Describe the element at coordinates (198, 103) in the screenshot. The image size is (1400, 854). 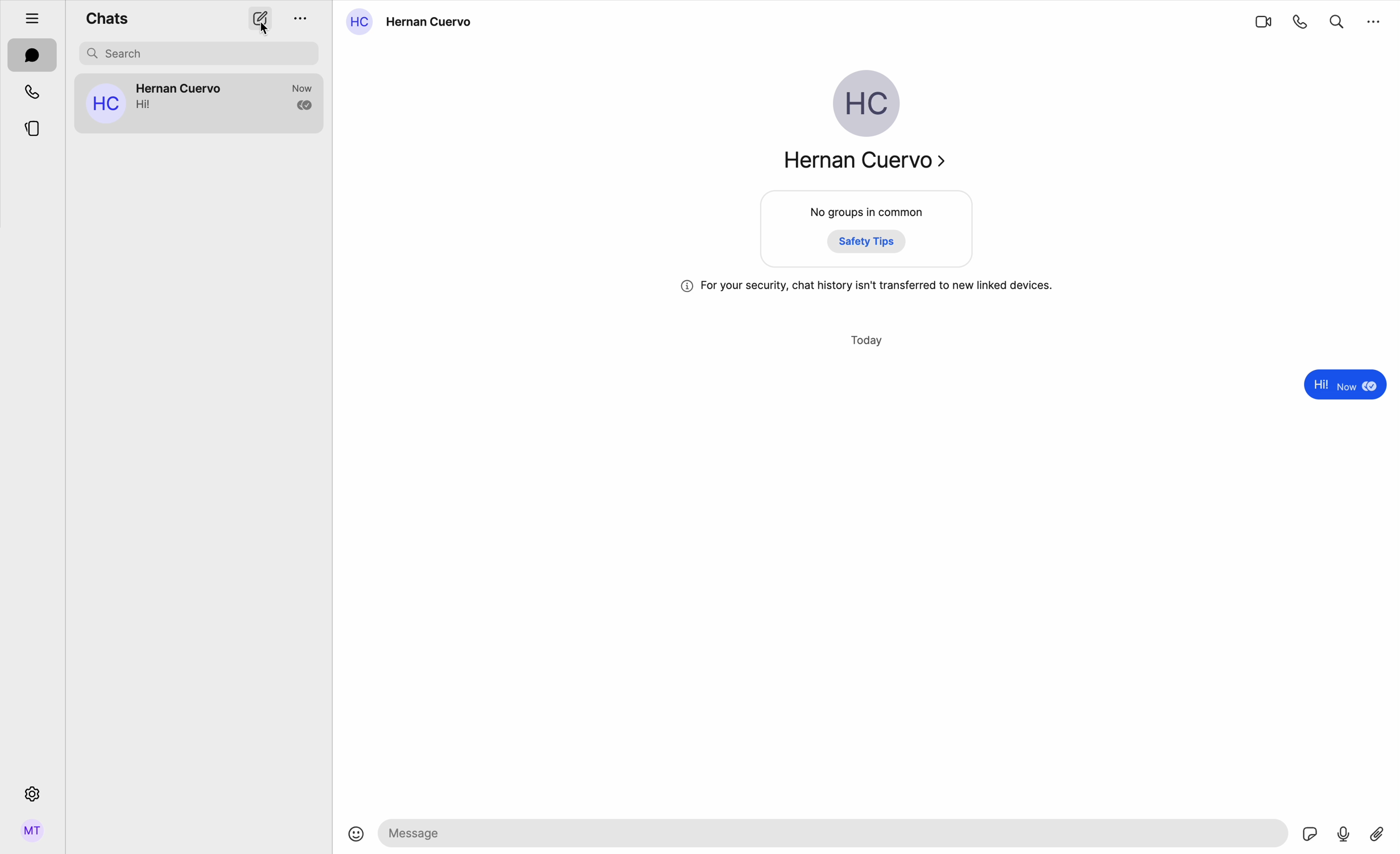
I see `contact` at that location.